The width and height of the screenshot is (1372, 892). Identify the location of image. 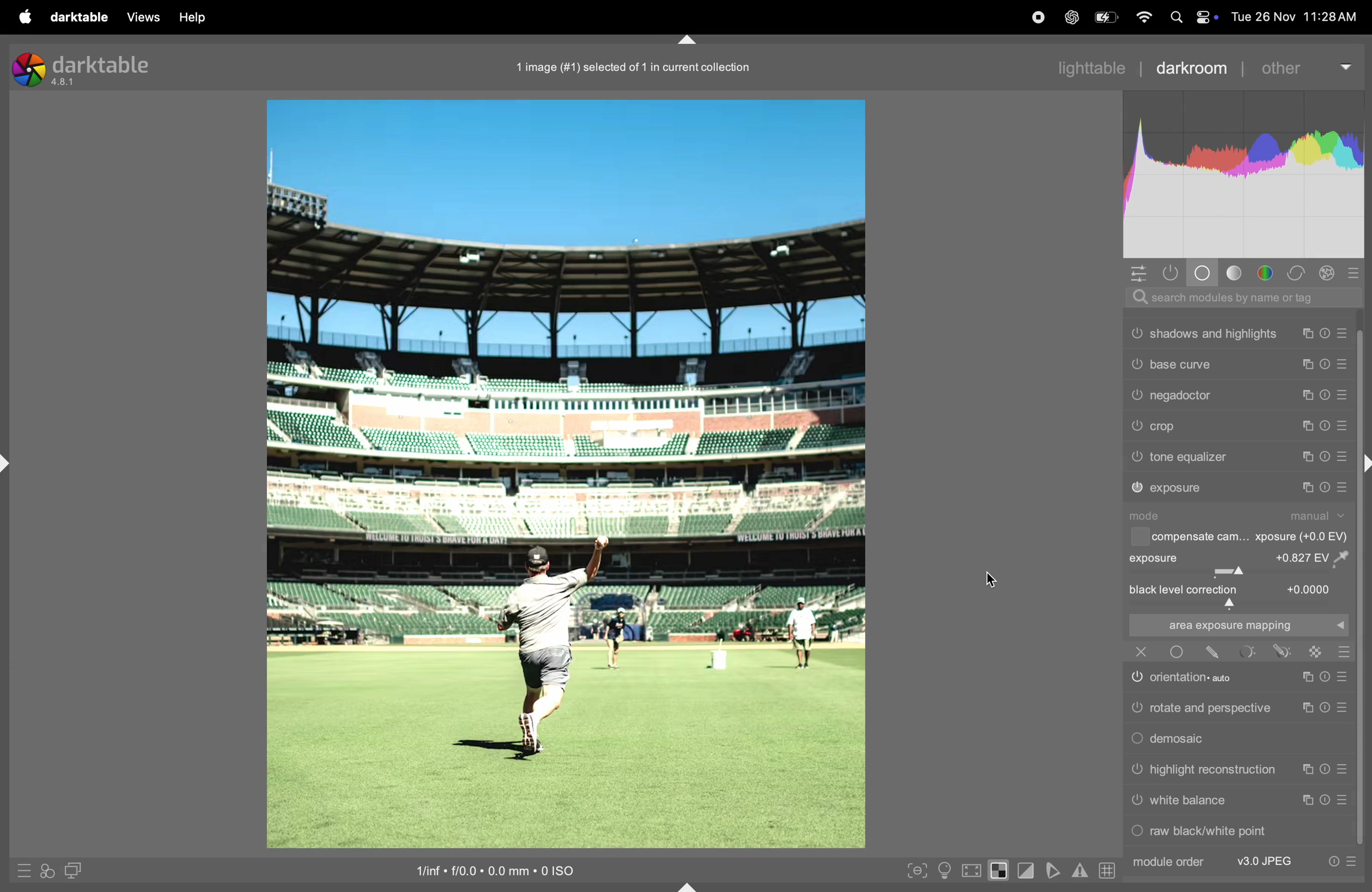
(564, 474).